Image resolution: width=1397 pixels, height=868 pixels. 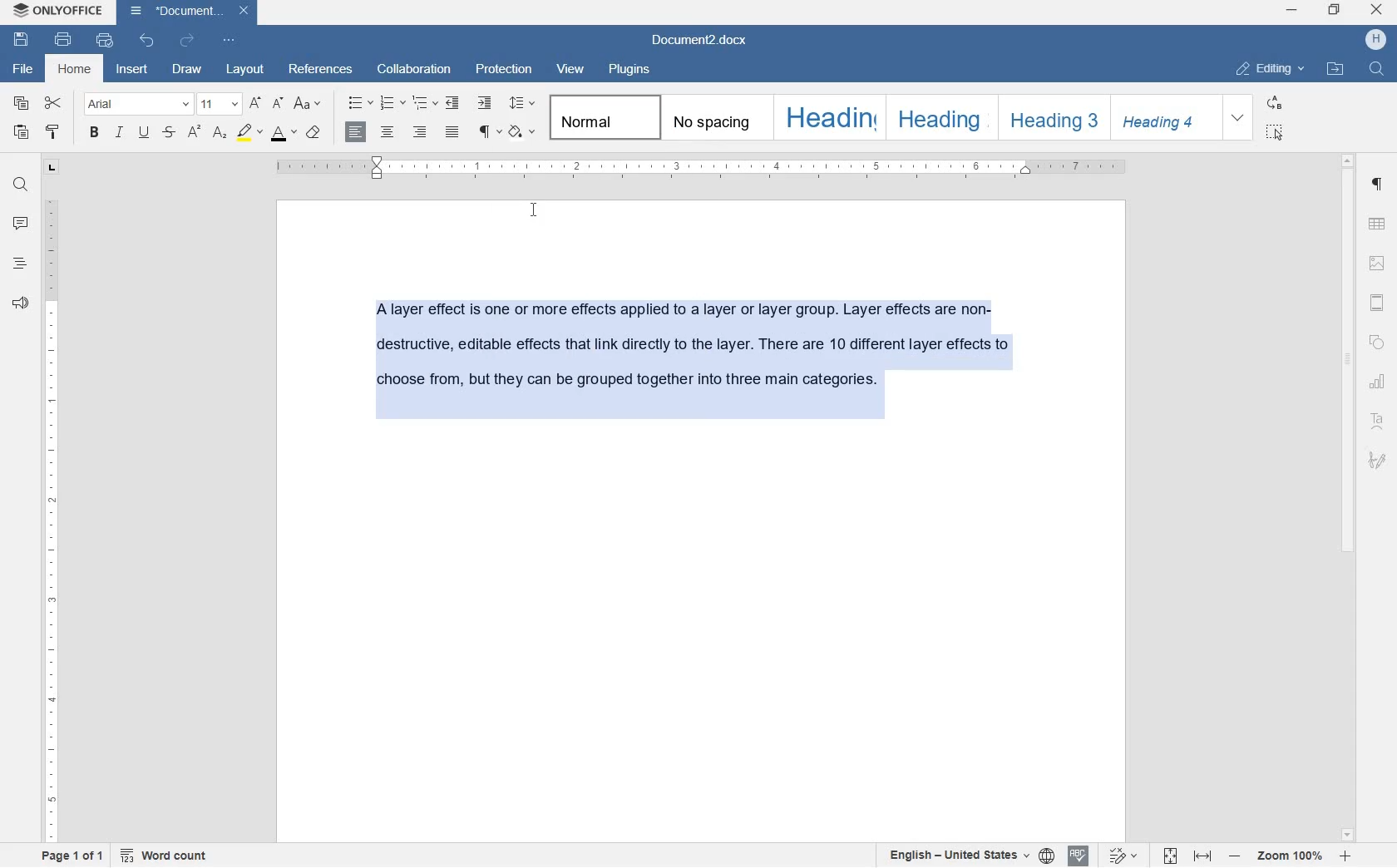 What do you see at coordinates (74, 856) in the screenshot?
I see `page 1 of 1` at bounding box center [74, 856].